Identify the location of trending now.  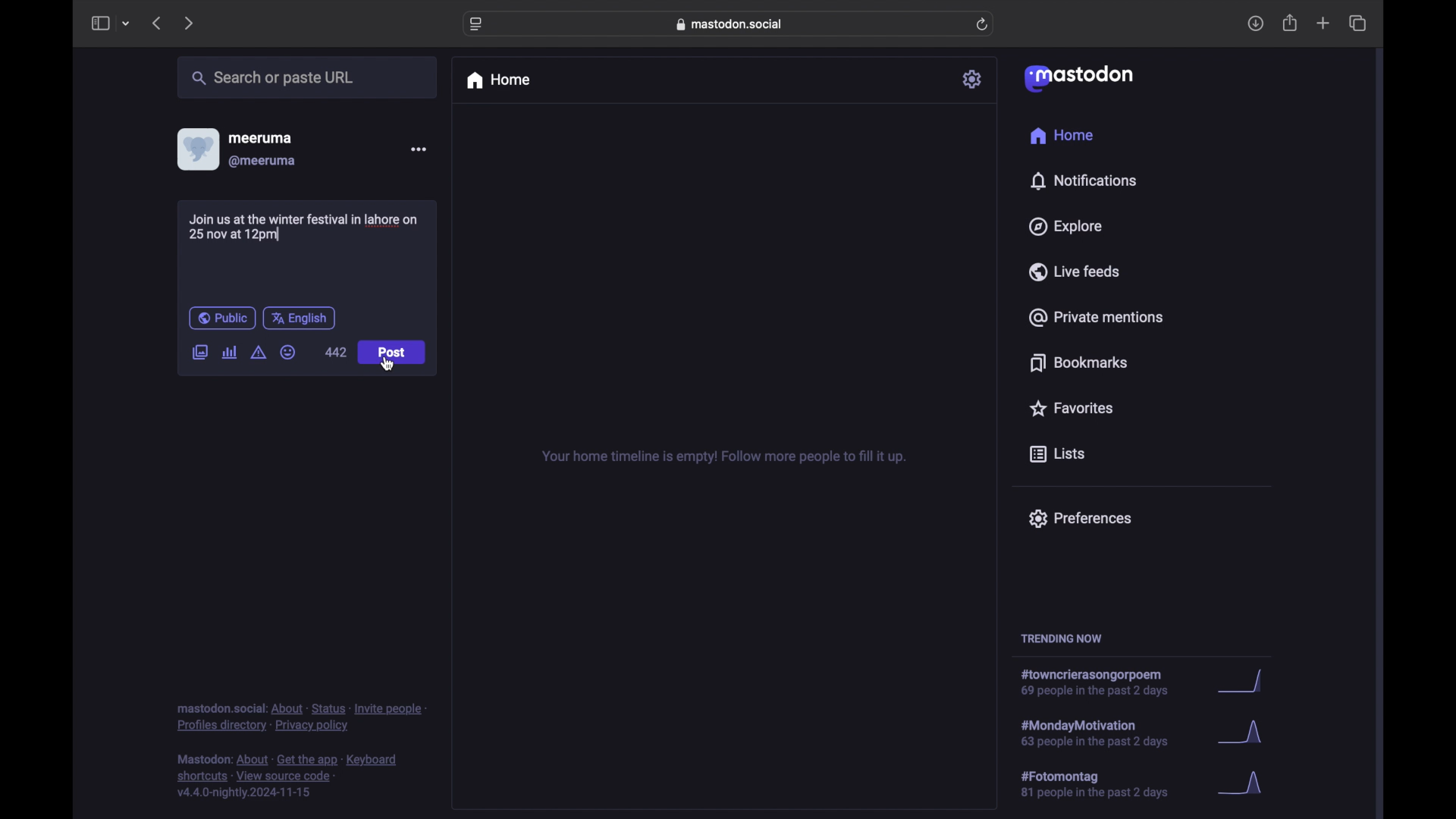
(1061, 639).